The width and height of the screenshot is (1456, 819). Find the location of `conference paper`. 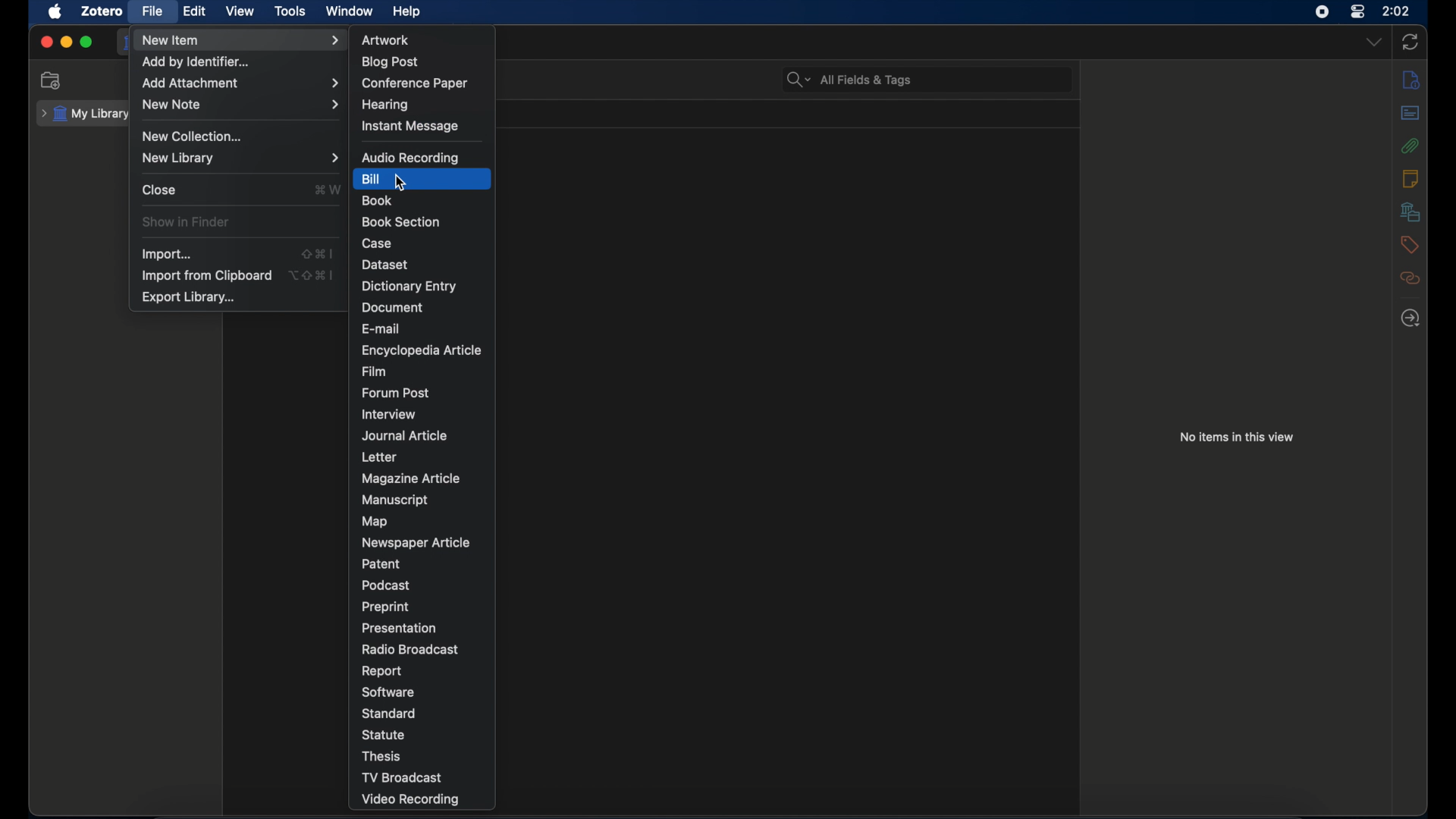

conference paper is located at coordinates (416, 84).